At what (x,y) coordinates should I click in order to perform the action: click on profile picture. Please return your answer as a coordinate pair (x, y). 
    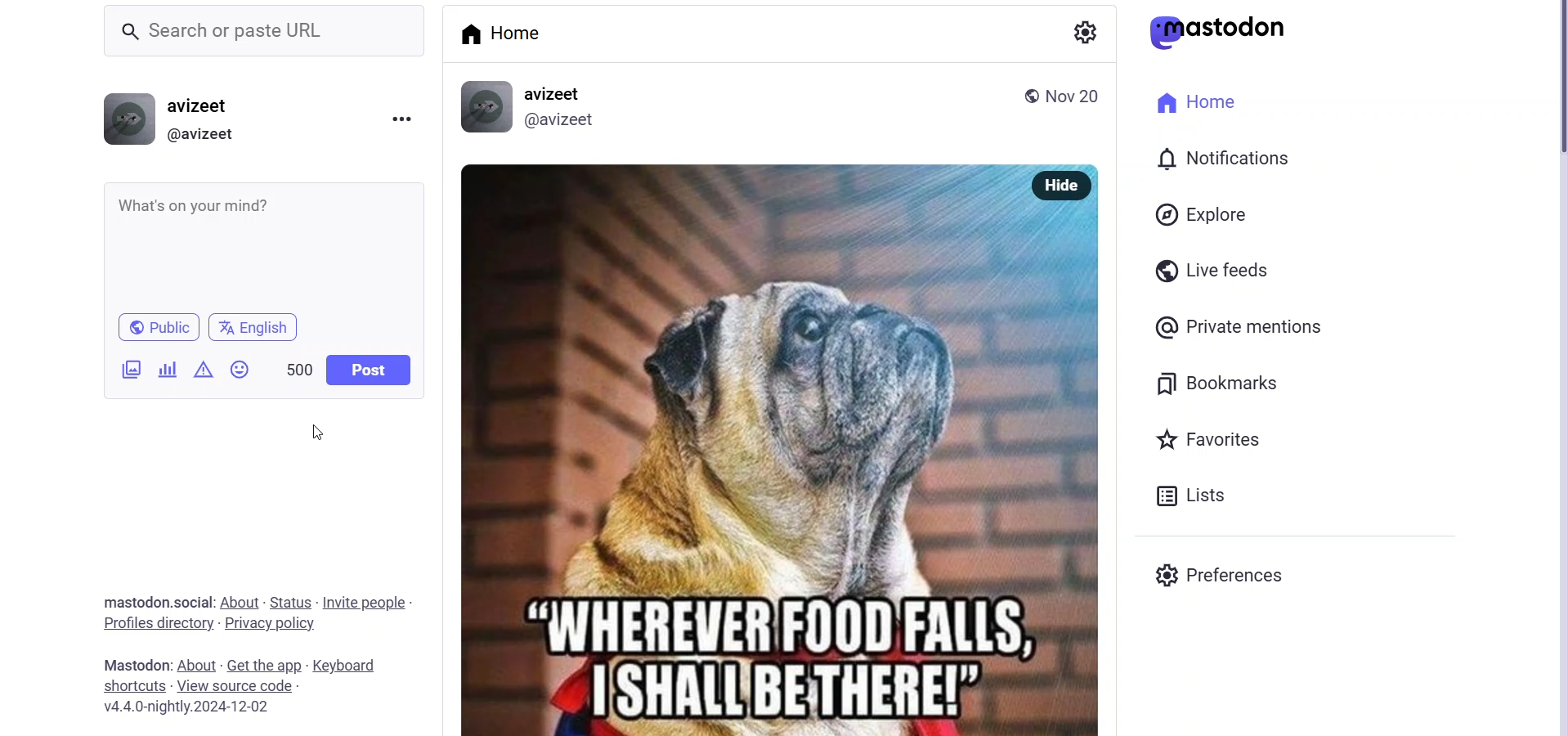
    Looking at the image, I should click on (486, 107).